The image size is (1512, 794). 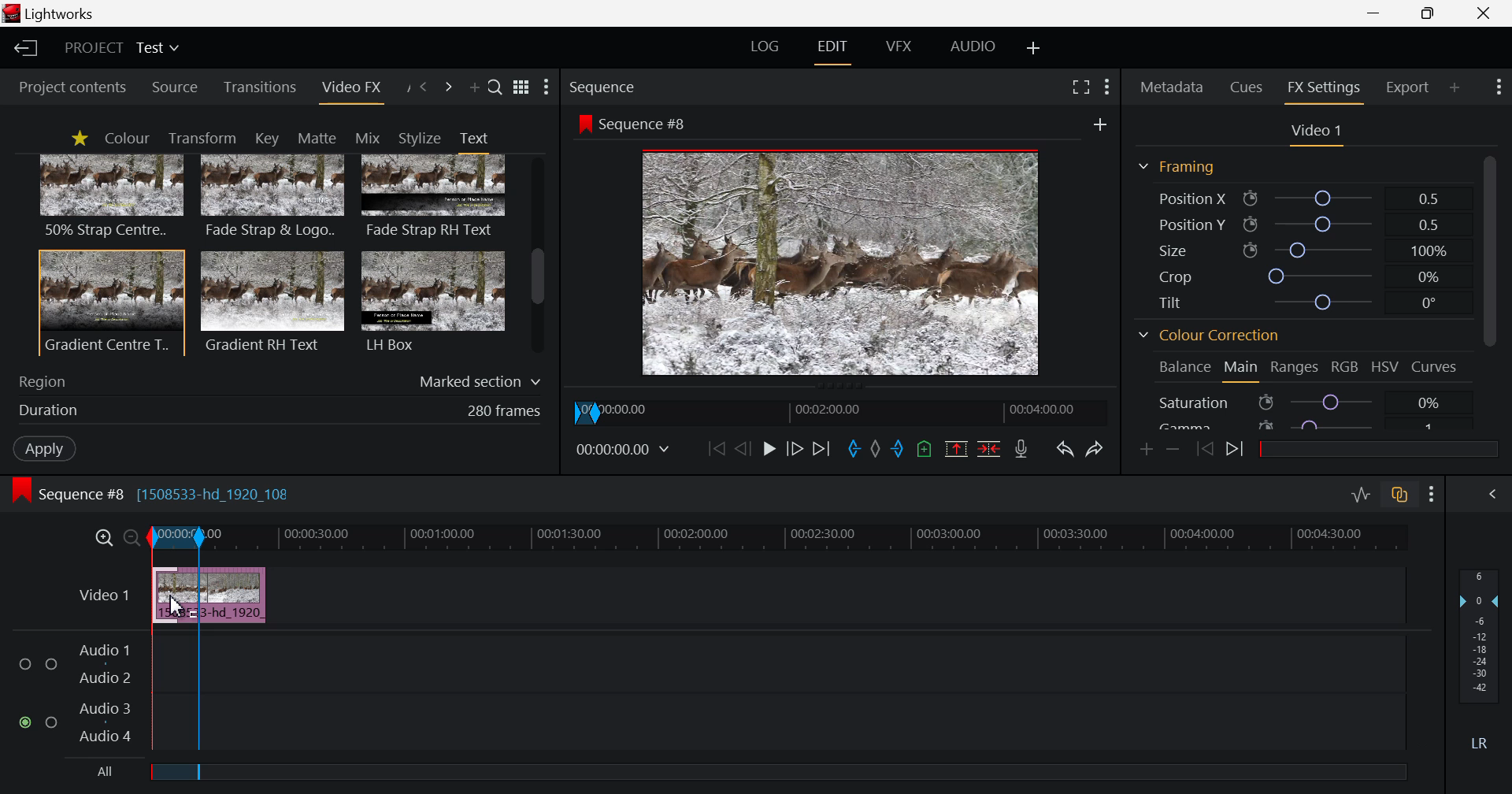 I want to click on Saturation, so click(x=1298, y=402).